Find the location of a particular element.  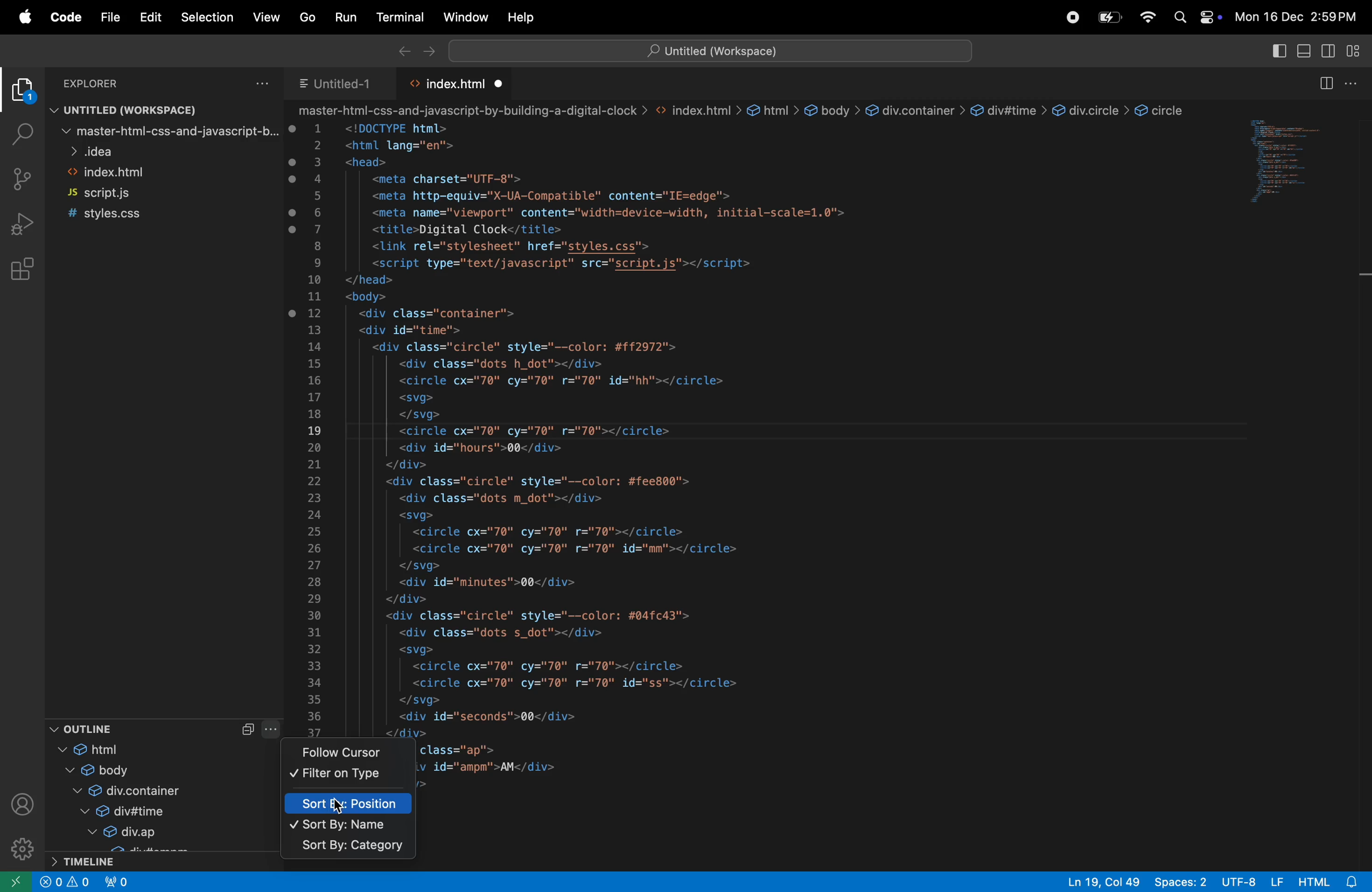

backward is located at coordinates (400, 50).